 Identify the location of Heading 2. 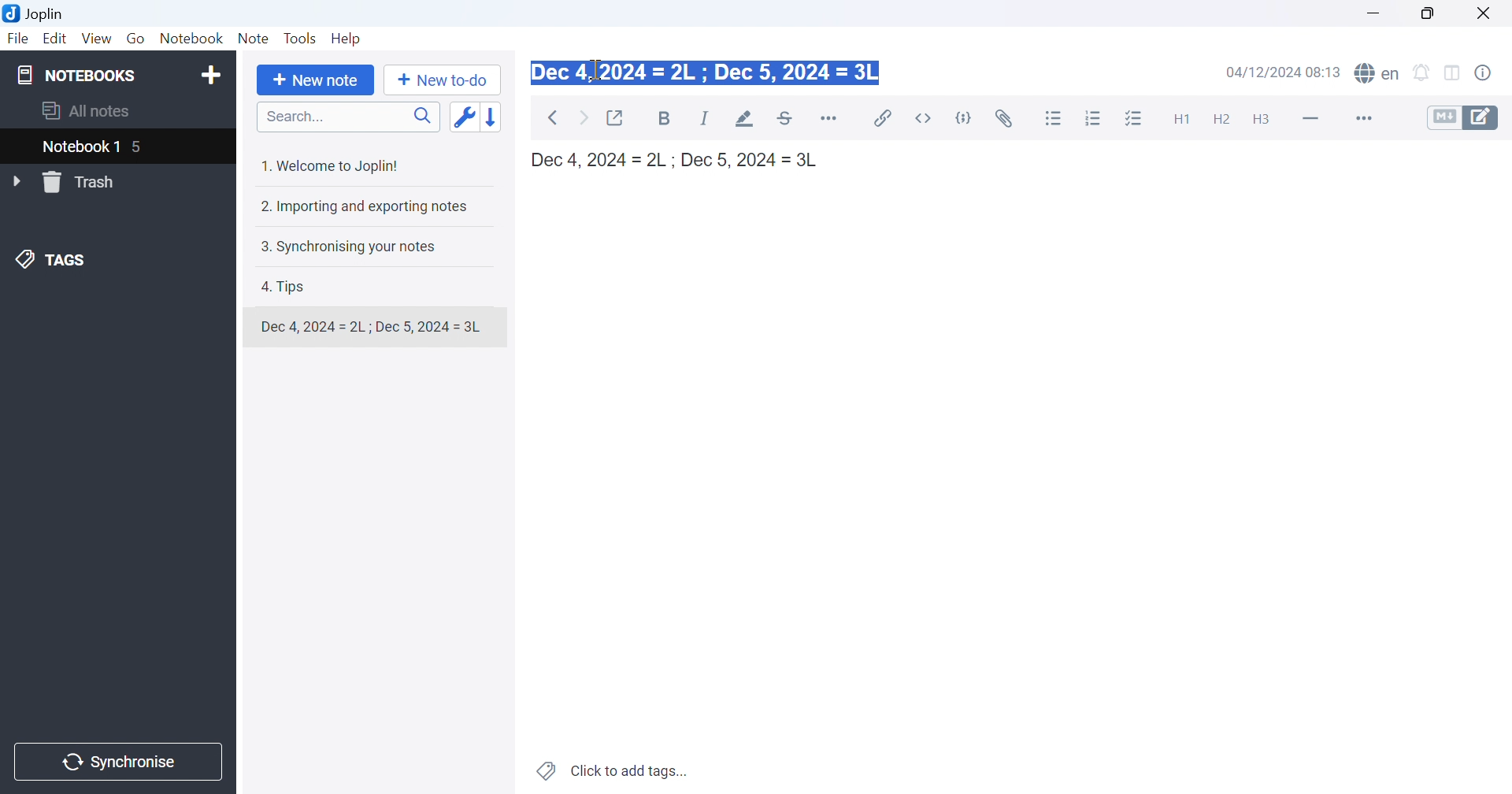
(1223, 118).